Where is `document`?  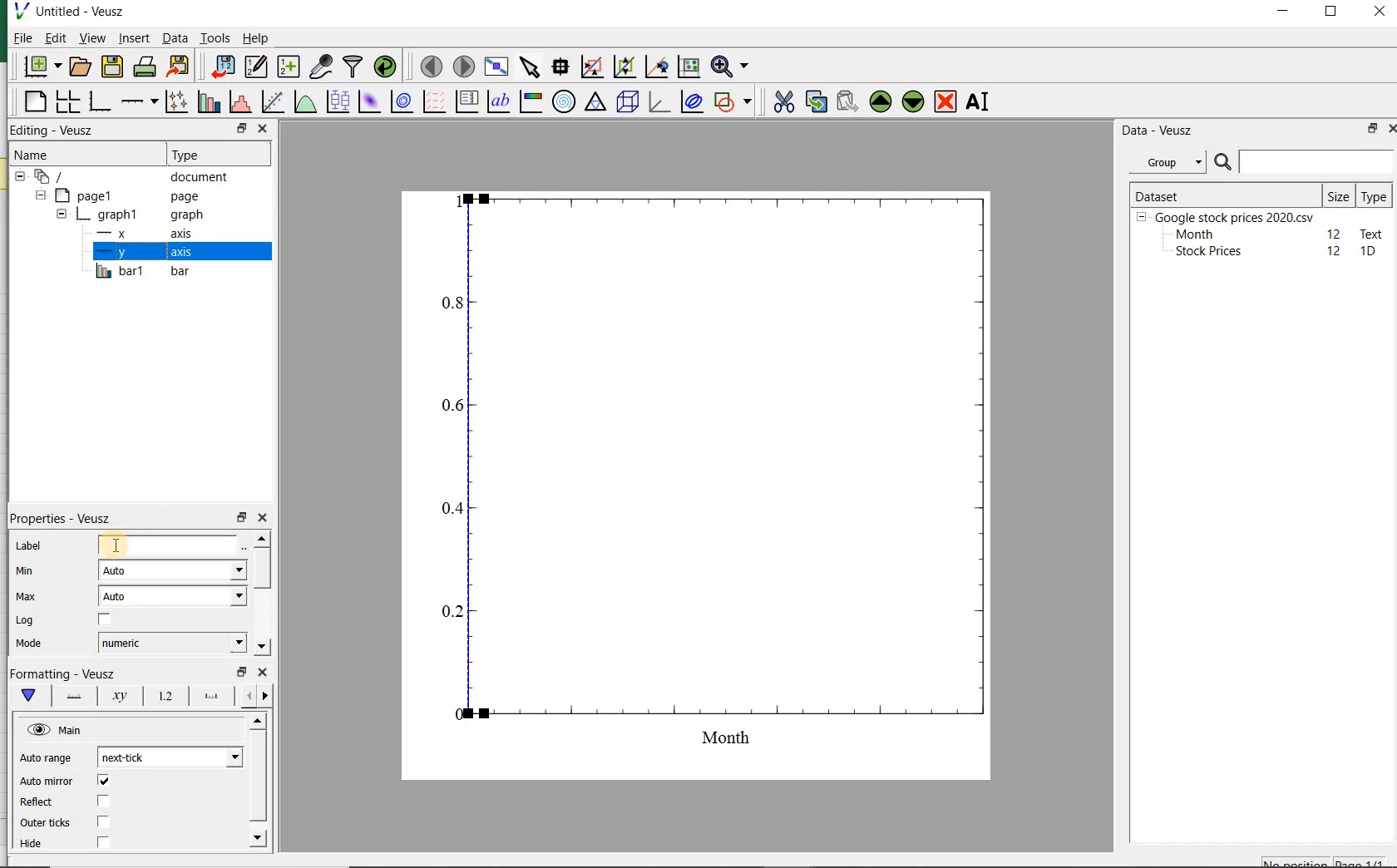 document is located at coordinates (129, 177).